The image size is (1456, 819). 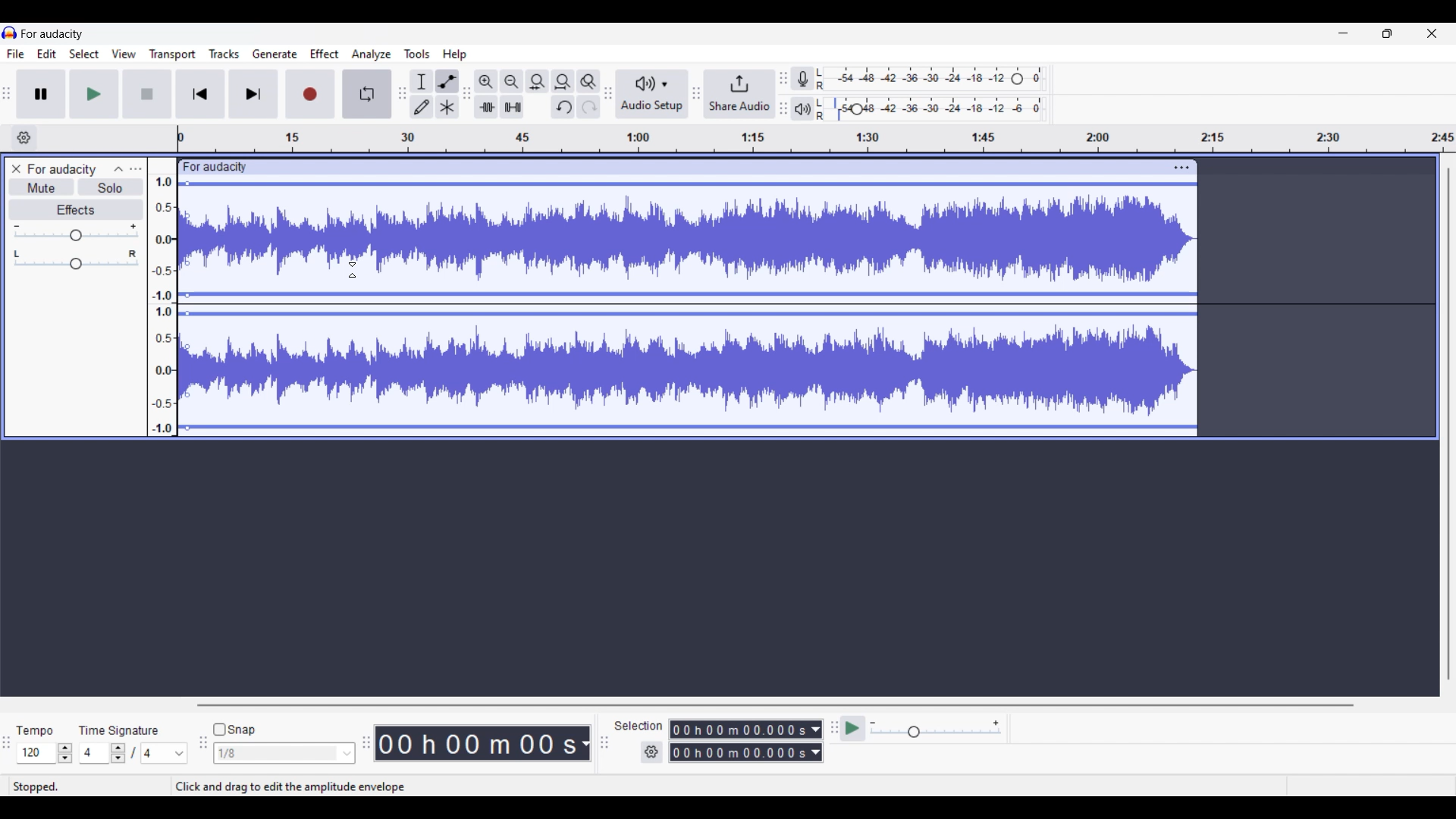 I want to click on Analyze, so click(x=372, y=55).